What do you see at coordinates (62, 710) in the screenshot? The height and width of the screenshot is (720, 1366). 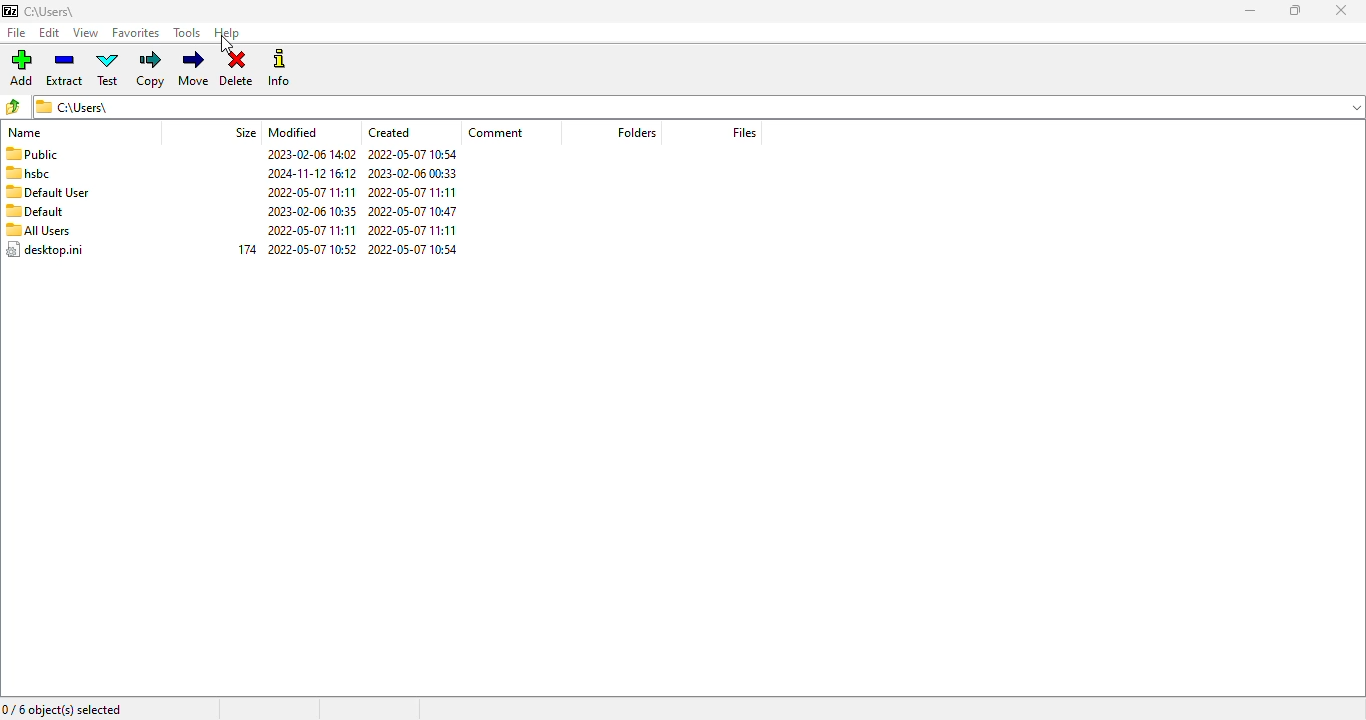 I see `0/6 object(s) selected` at bounding box center [62, 710].